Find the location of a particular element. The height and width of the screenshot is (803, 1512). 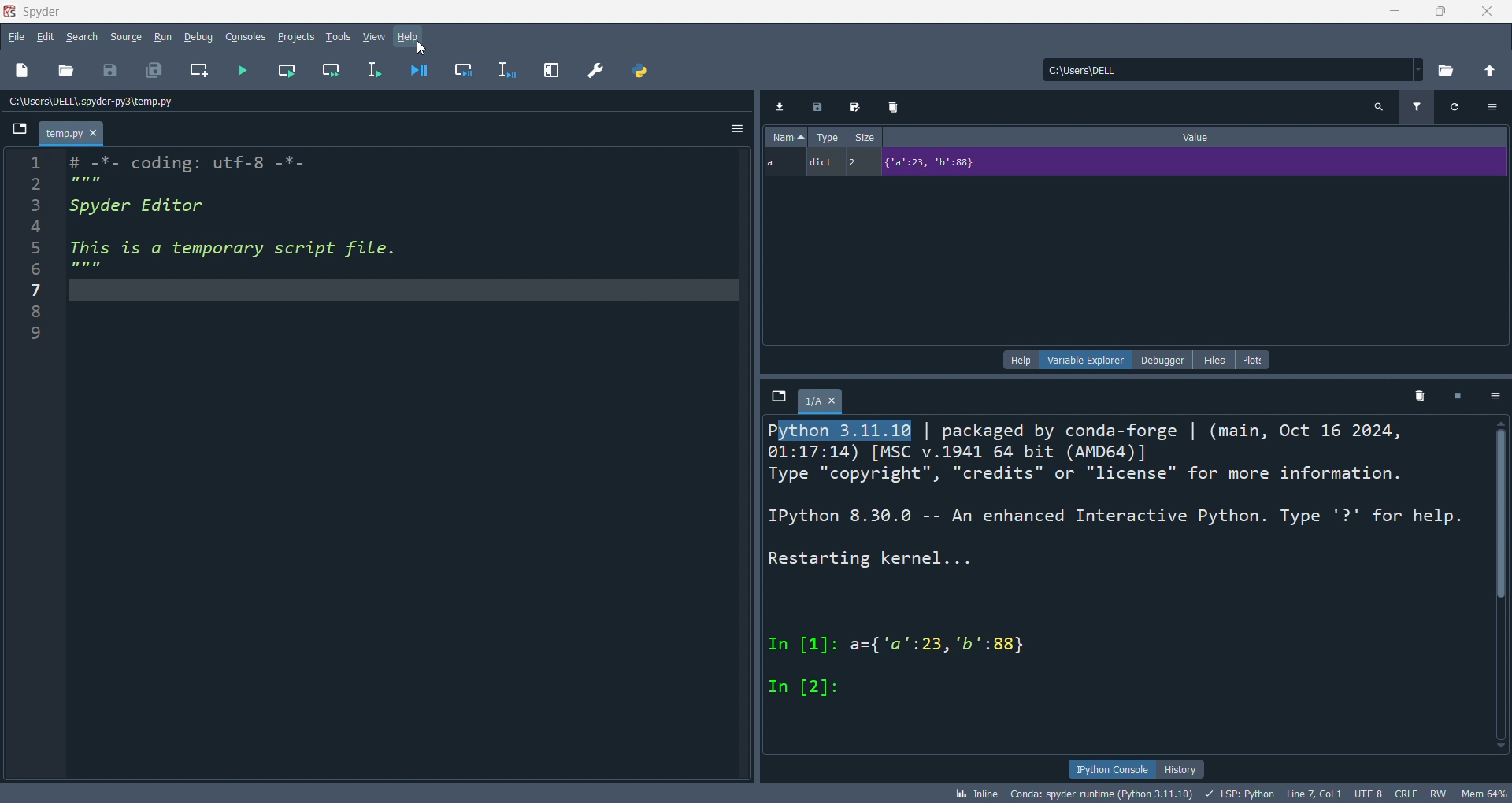

run cell is located at coordinates (286, 71).